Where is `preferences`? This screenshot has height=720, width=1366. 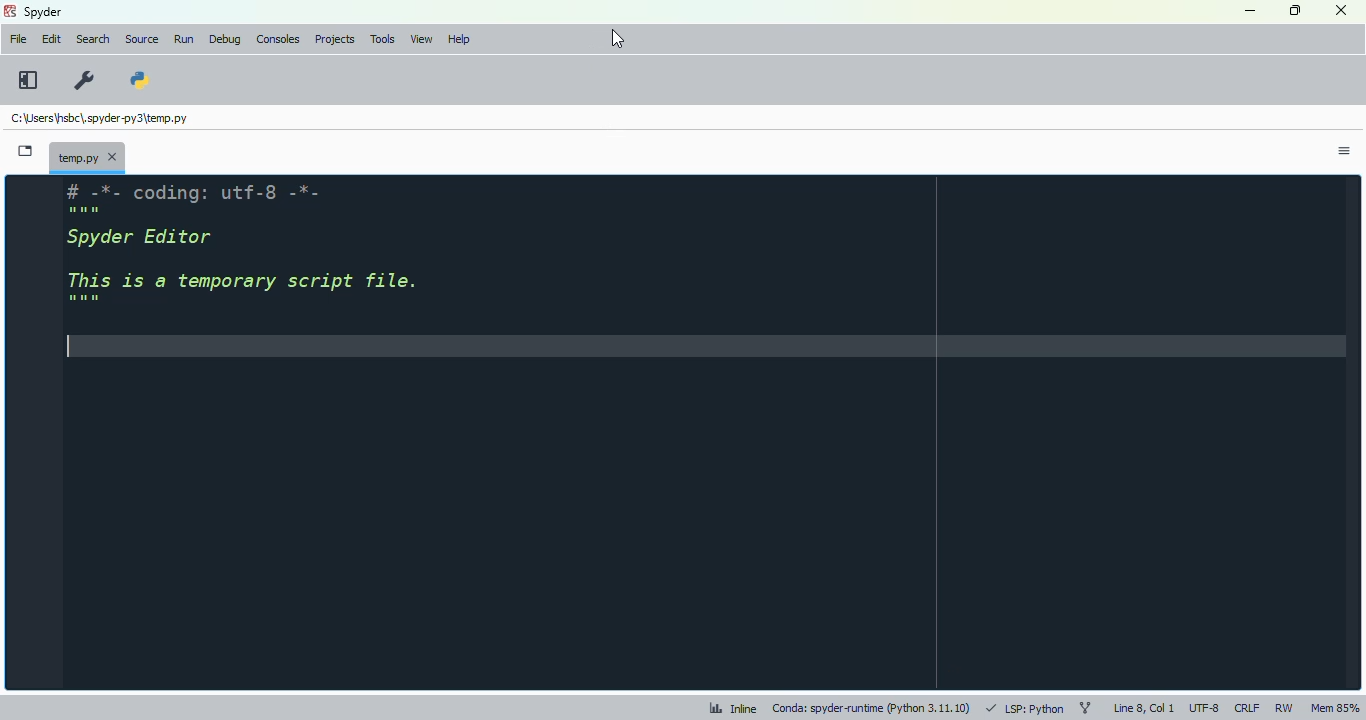 preferences is located at coordinates (85, 82).